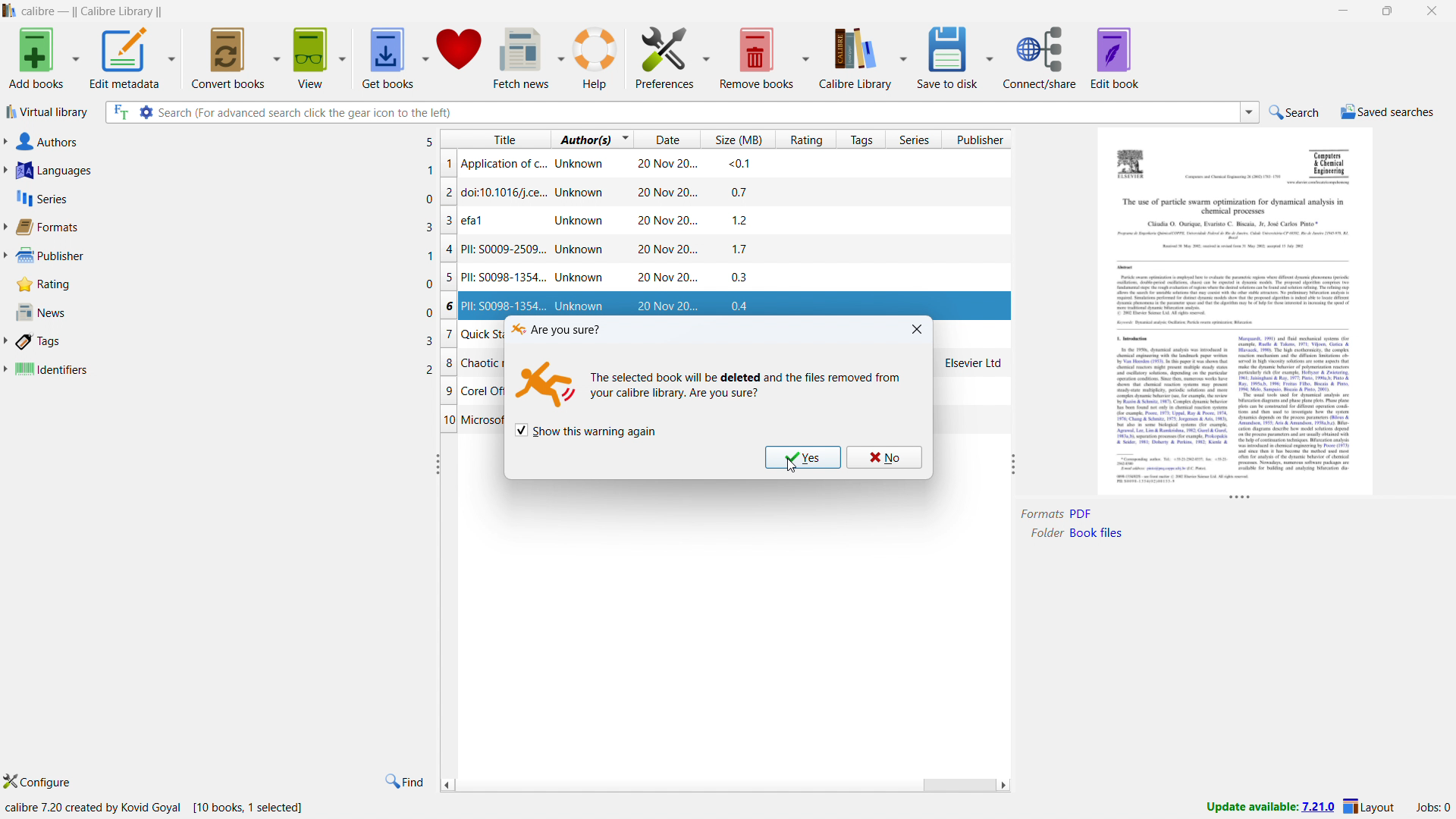 The width and height of the screenshot is (1456, 819). Describe the element at coordinates (1250, 111) in the screenshot. I see `search history` at that location.